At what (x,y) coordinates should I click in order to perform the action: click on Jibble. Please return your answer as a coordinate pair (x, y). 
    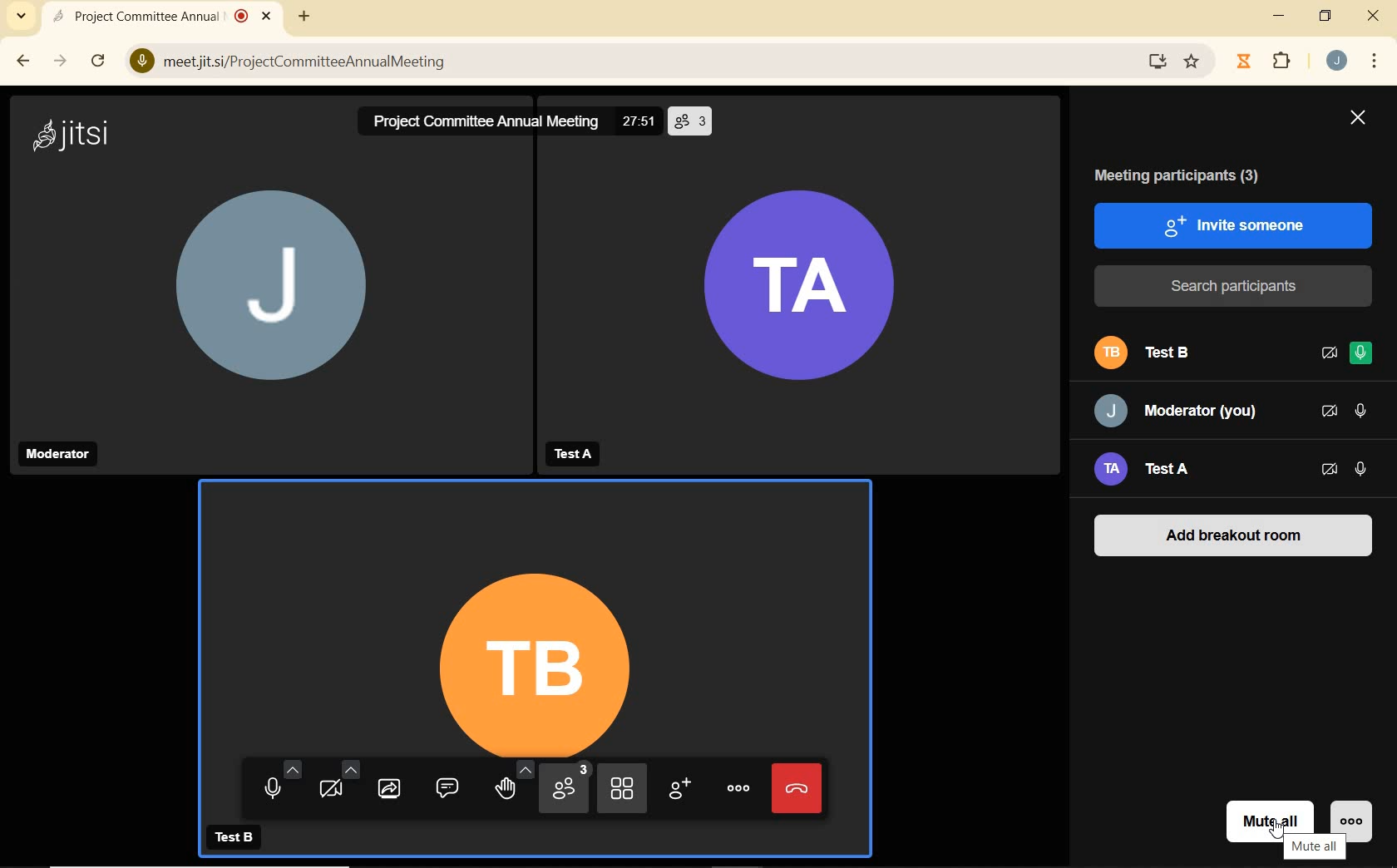
    Looking at the image, I should click on (1242, 63).